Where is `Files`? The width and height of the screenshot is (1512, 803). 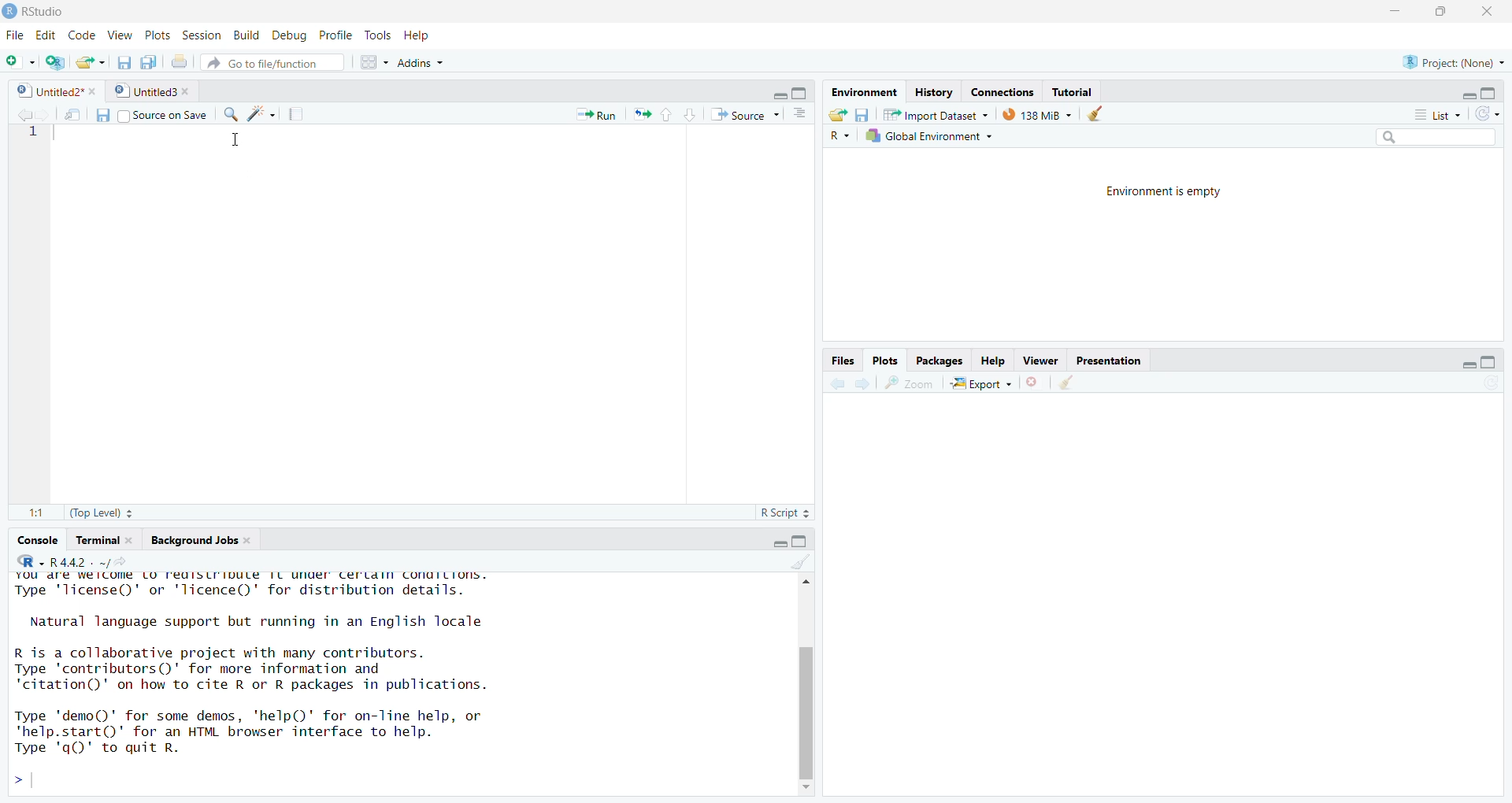
Files is located at coordinates (839, 358).